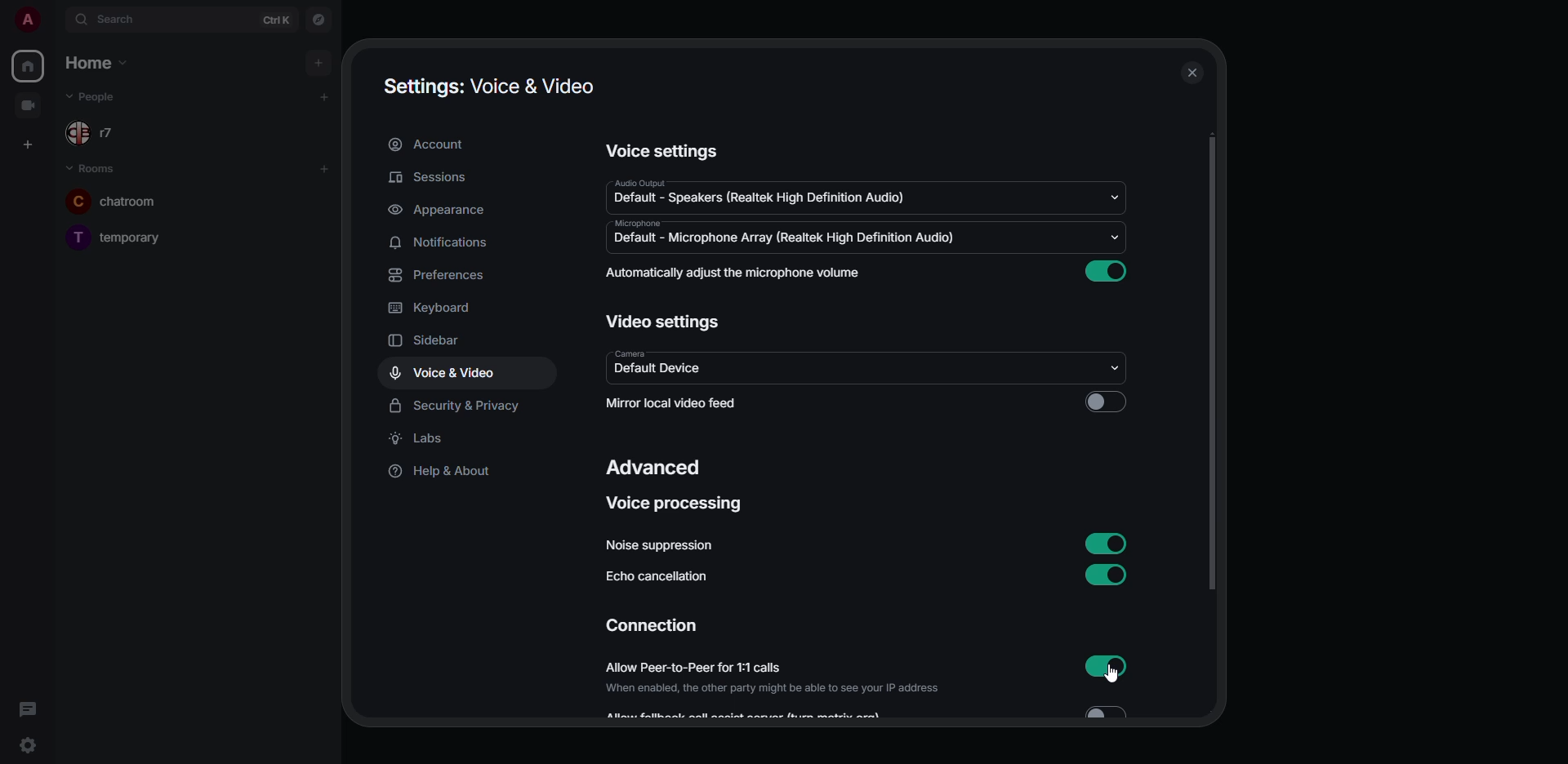 The height and width of the screenshot is (764, 1568). What do you see at coordinates (660, 546) in the screenshot?
I see `noise suppression` at bounding box center [660, 546].